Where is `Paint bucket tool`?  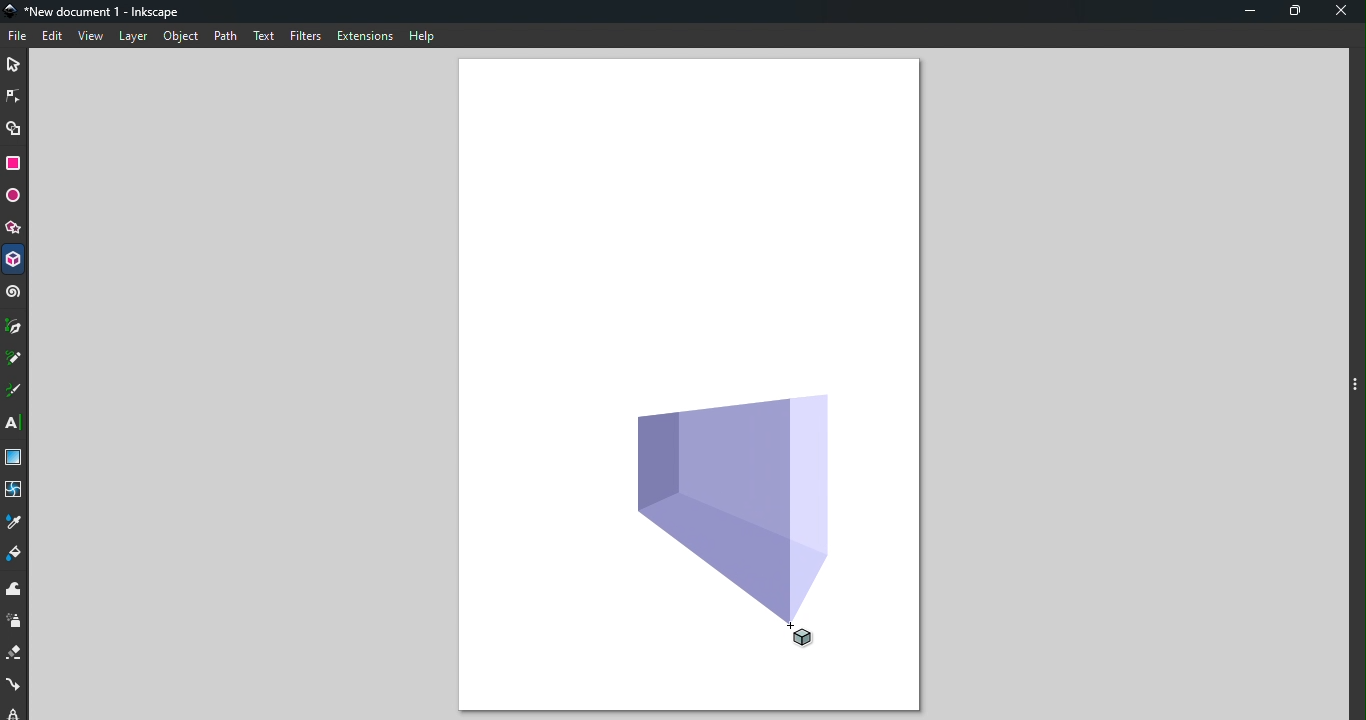
Paint bucket tool is located at coordinates (13, 555).